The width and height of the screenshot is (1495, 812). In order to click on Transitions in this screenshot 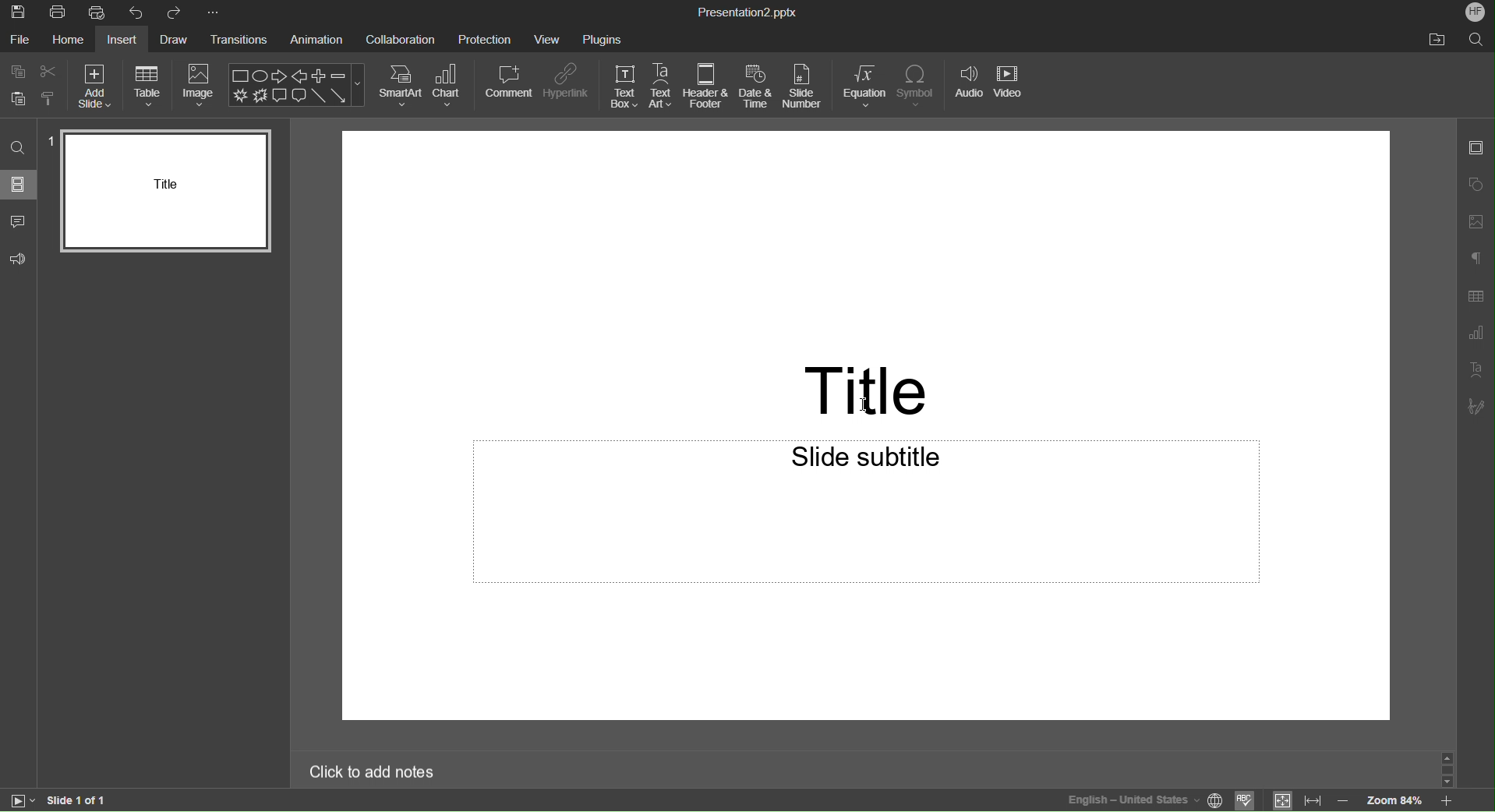, I will do `click(242, 40)`.